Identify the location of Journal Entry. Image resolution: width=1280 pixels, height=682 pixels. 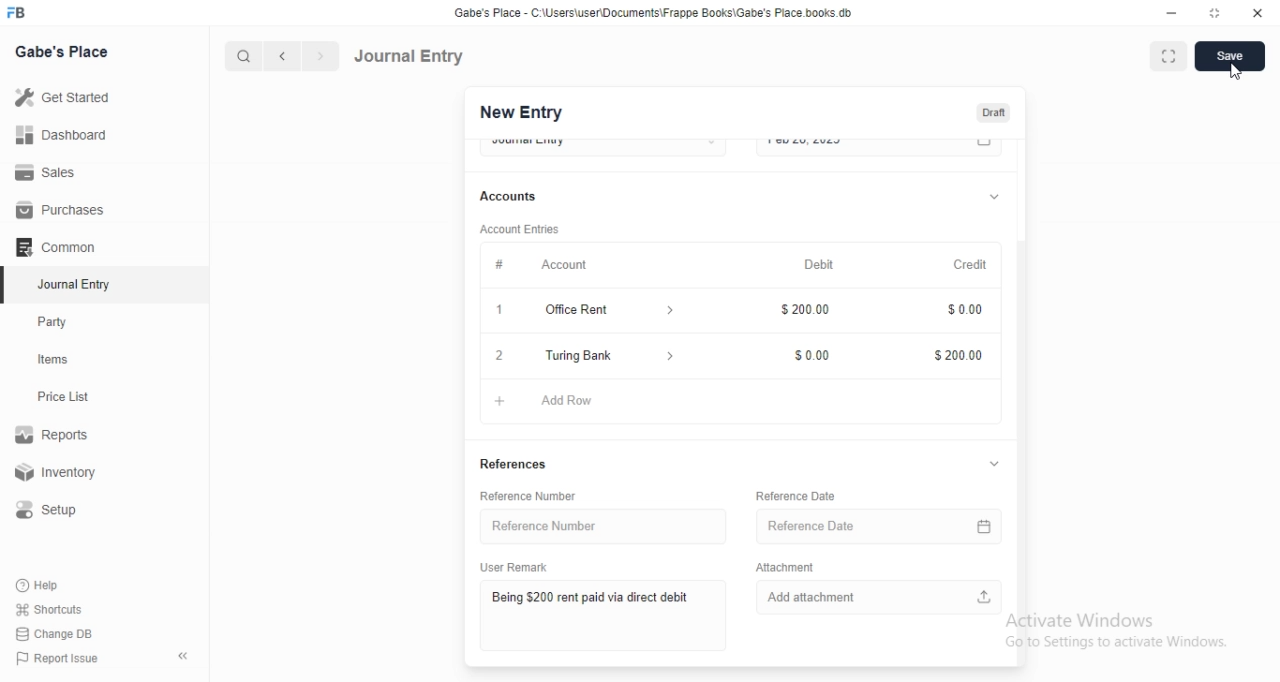
(409, 56).